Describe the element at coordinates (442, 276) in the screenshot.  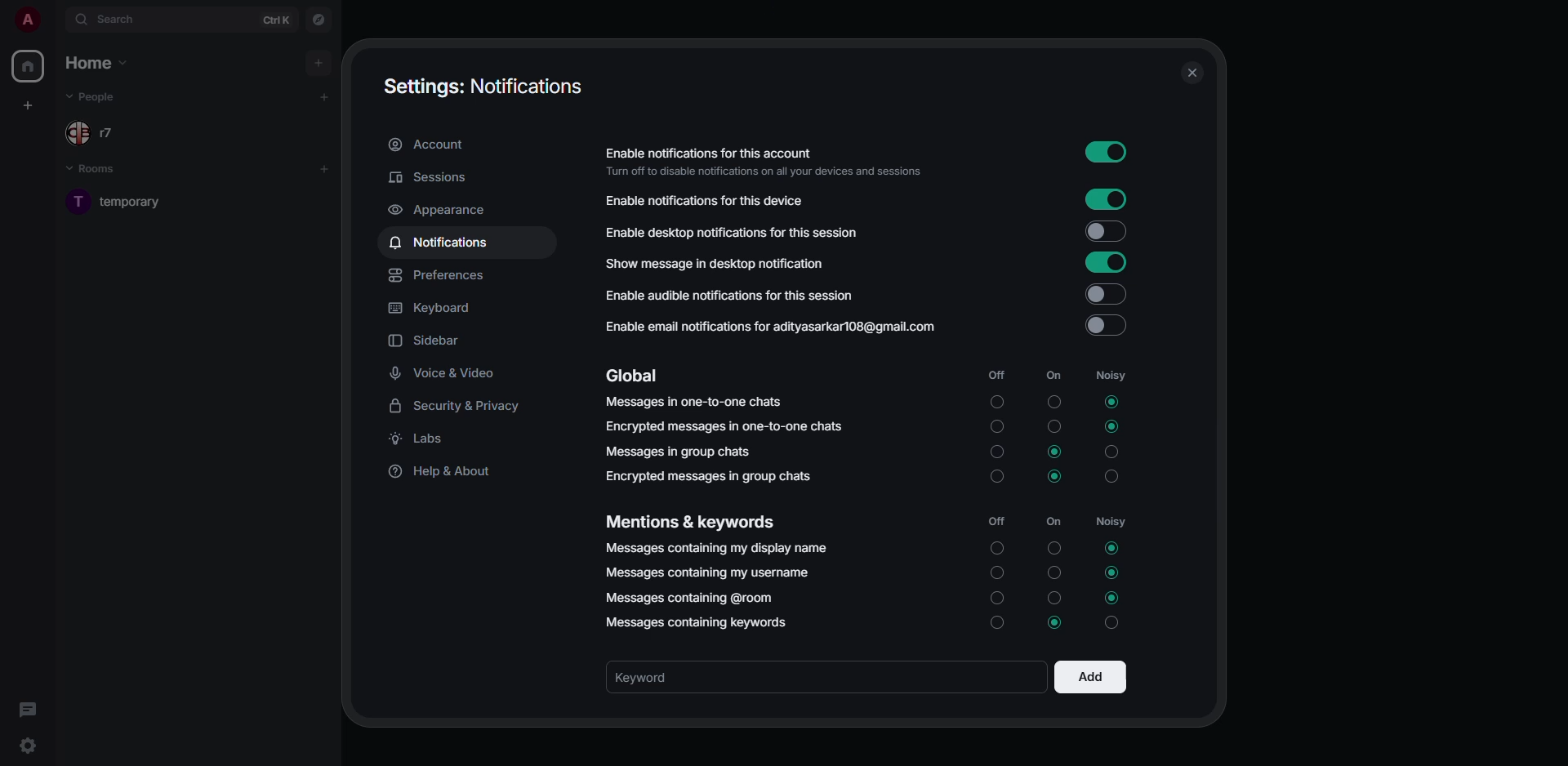
I see `preferences` at that location.